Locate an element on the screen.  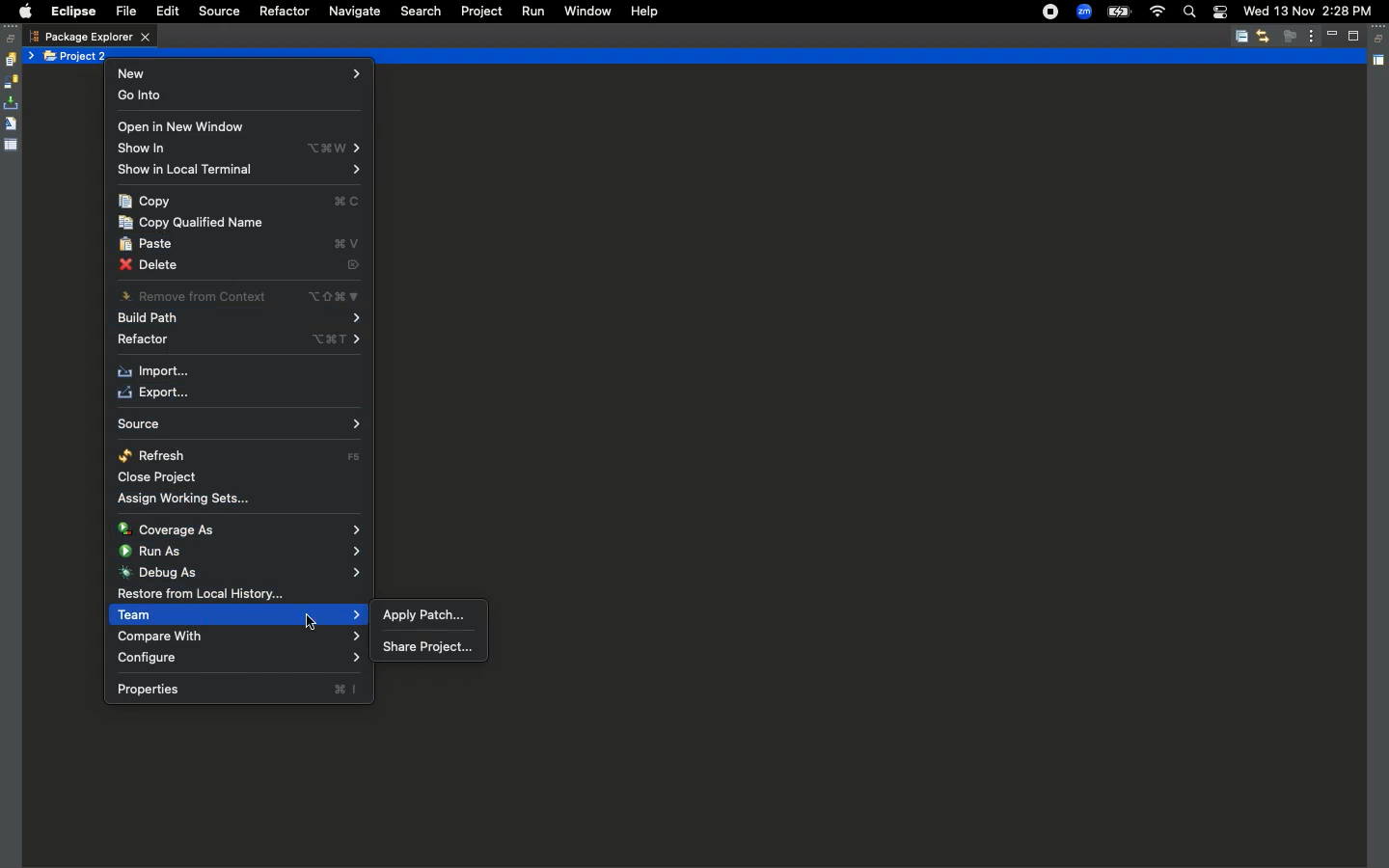
Project 2 is located at coordinates (77, 57).